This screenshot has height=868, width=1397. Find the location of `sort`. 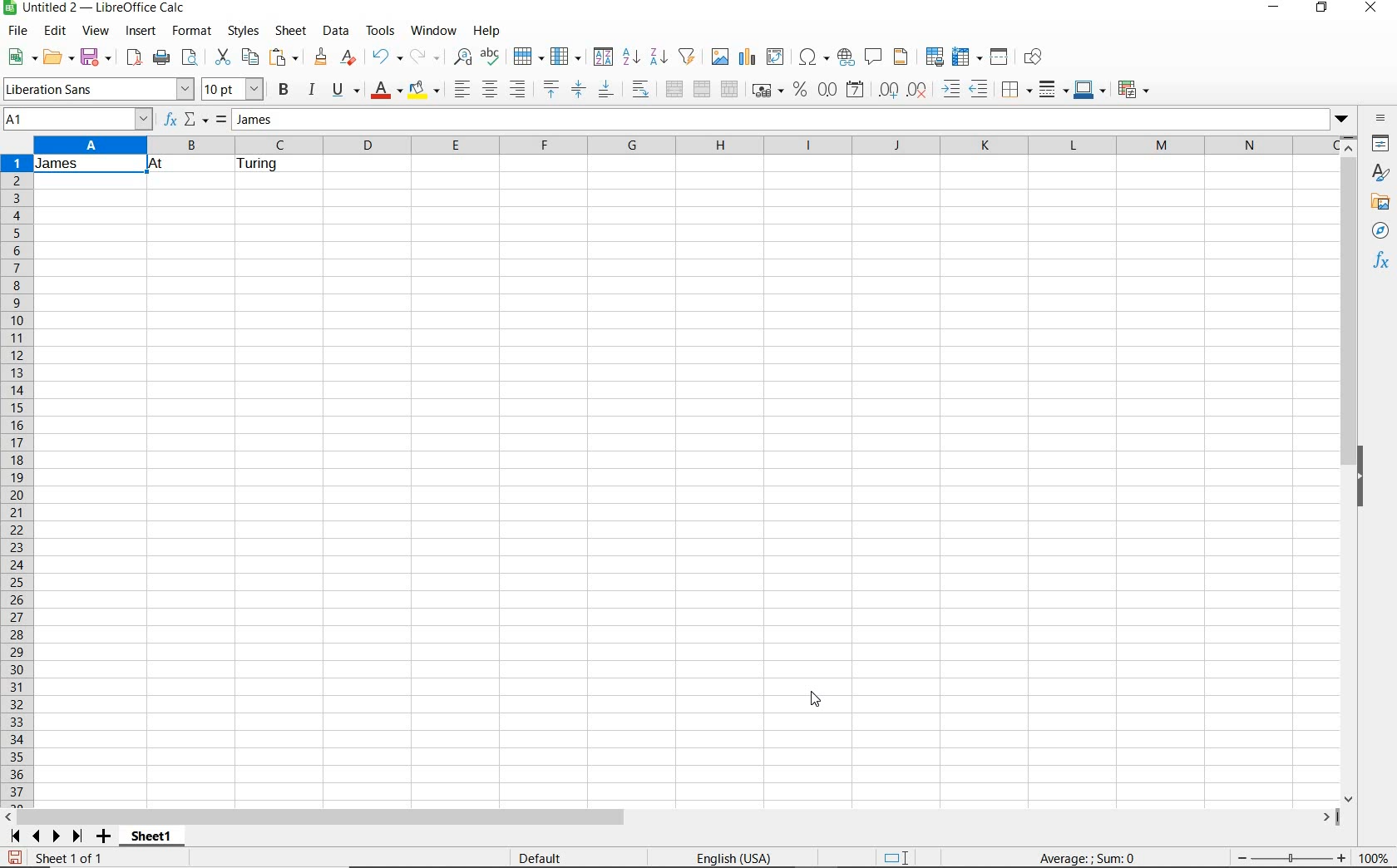

sort is located at coordinates (601, 58).